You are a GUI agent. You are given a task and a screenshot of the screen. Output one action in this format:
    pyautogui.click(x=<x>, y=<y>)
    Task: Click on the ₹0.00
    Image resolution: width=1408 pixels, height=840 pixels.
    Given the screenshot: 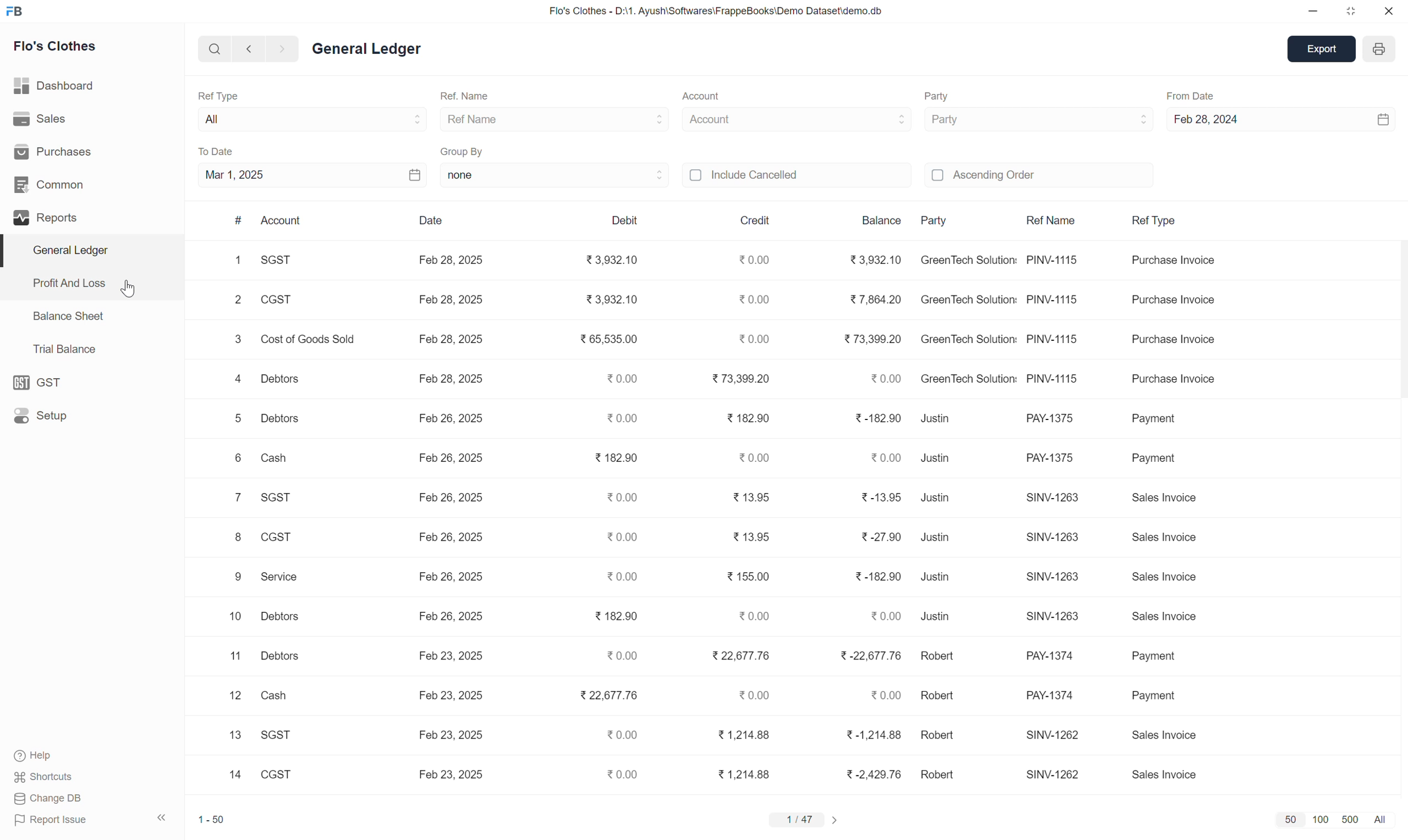 What is the action you would take?
    pyautogui.click(x=883, y=615)
    